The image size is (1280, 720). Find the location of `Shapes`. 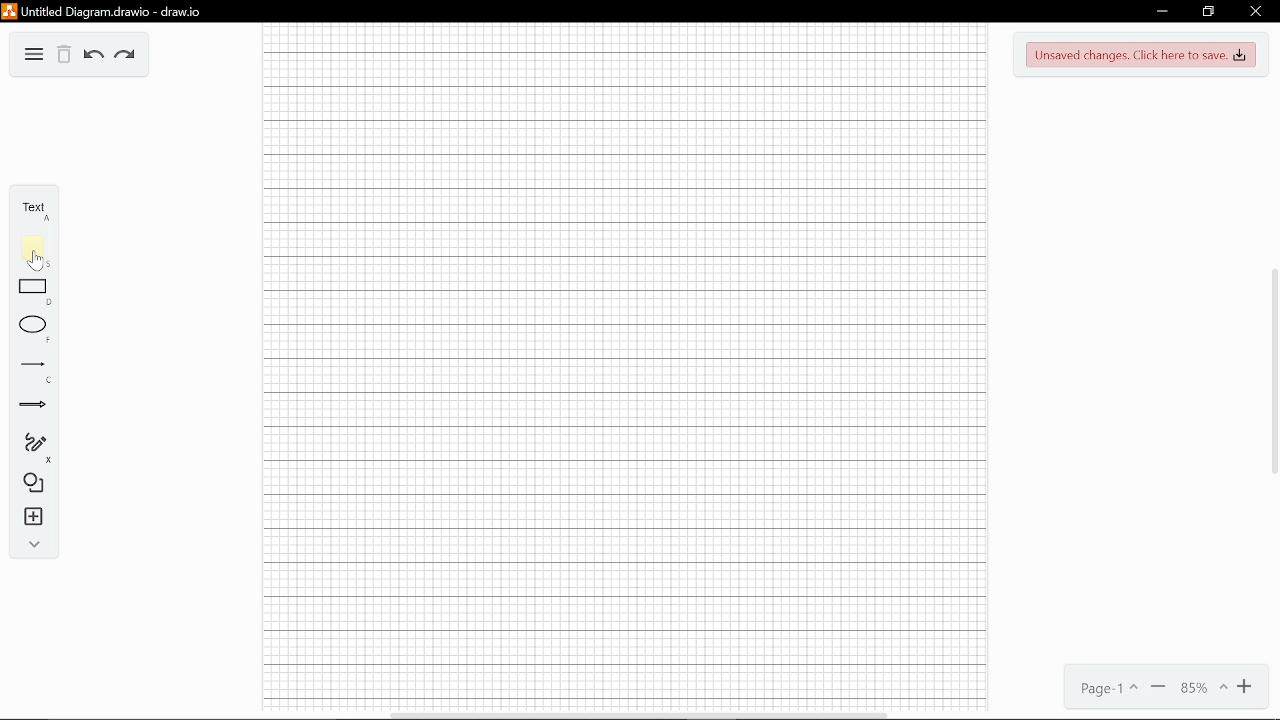

Shapes is located at coordinates (31, 483).